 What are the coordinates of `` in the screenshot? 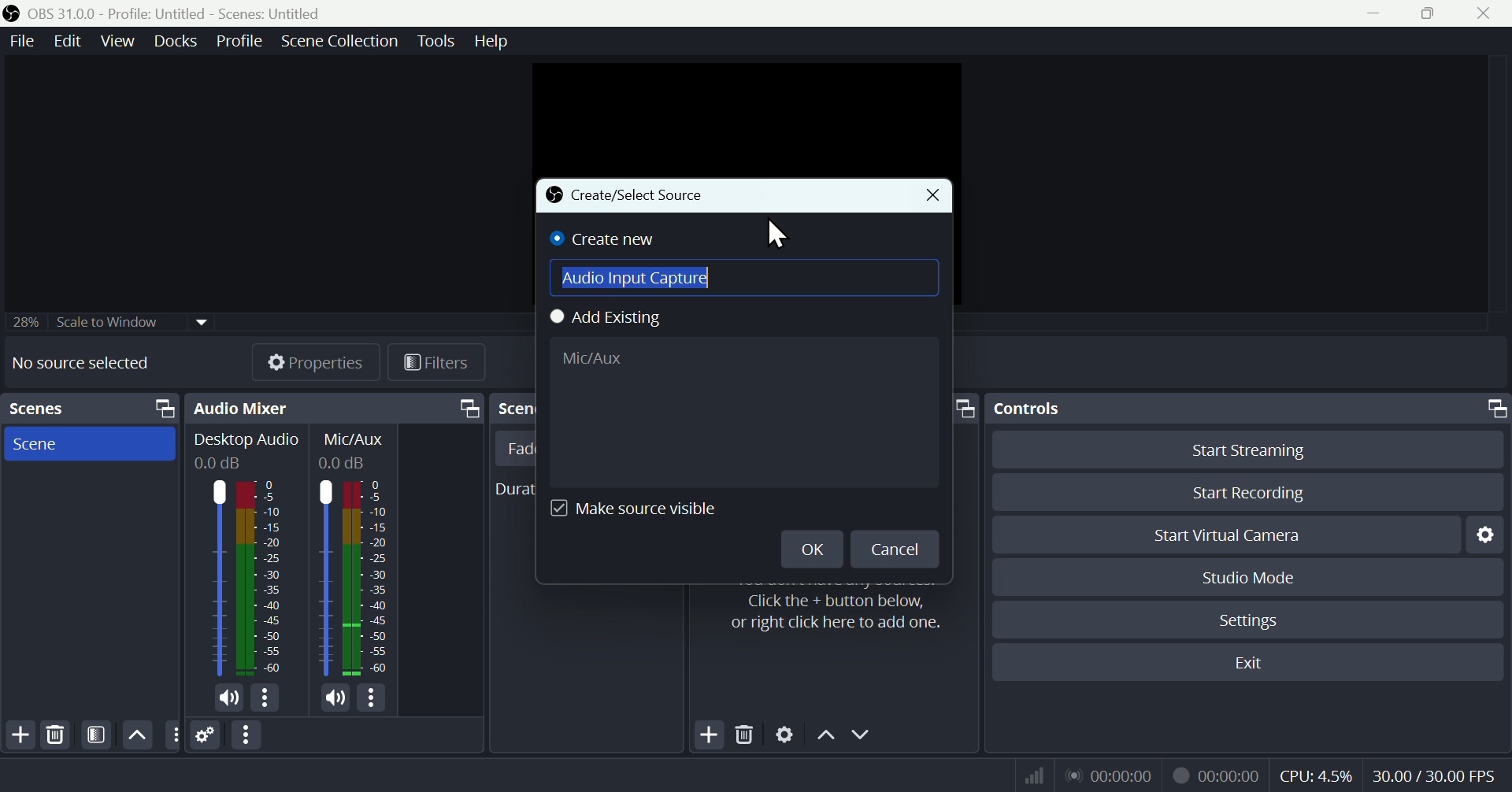 It's located at (357, 439).